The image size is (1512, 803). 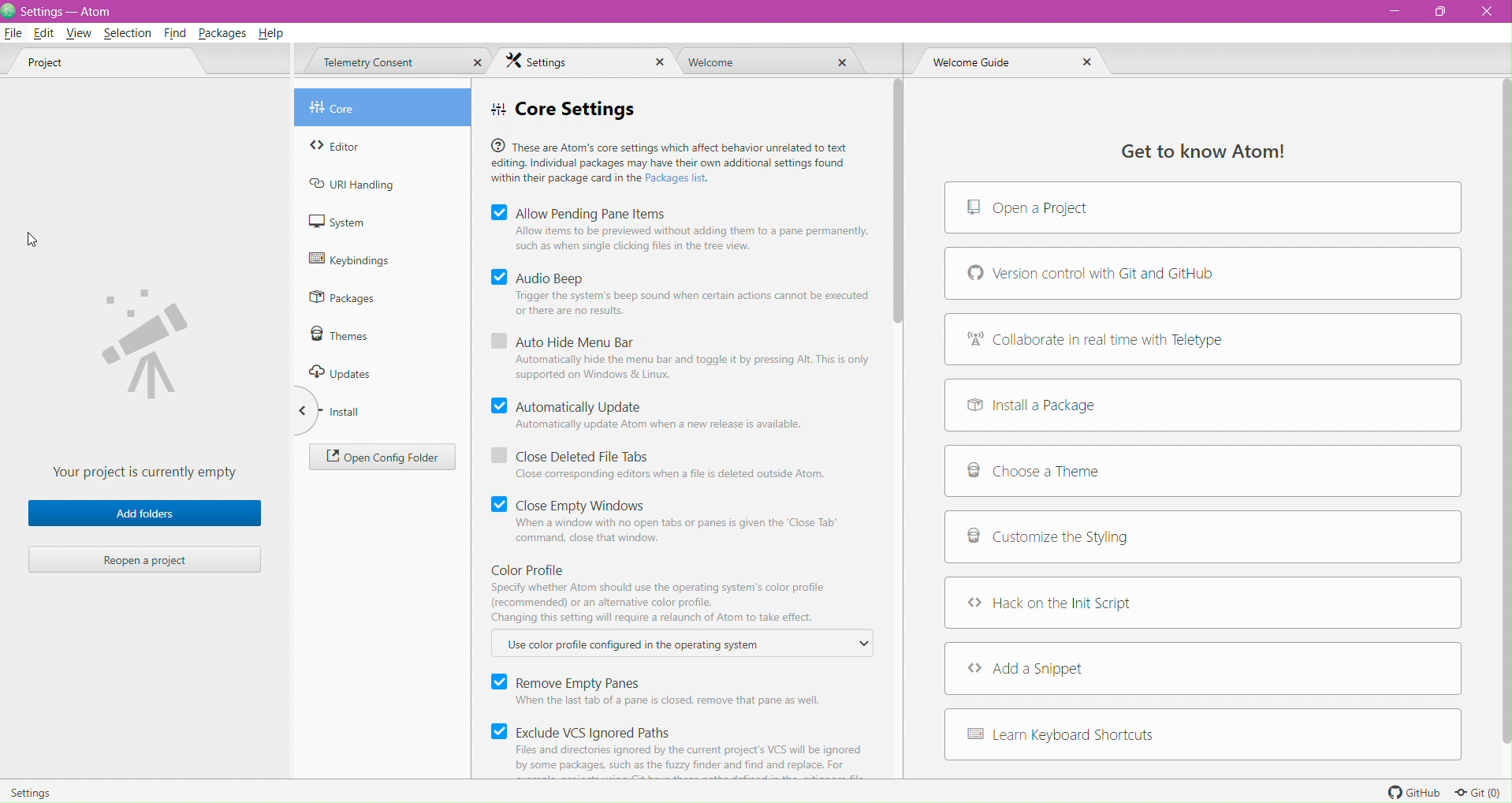 I want to click on GitHub, so click(x=1410, y=791).